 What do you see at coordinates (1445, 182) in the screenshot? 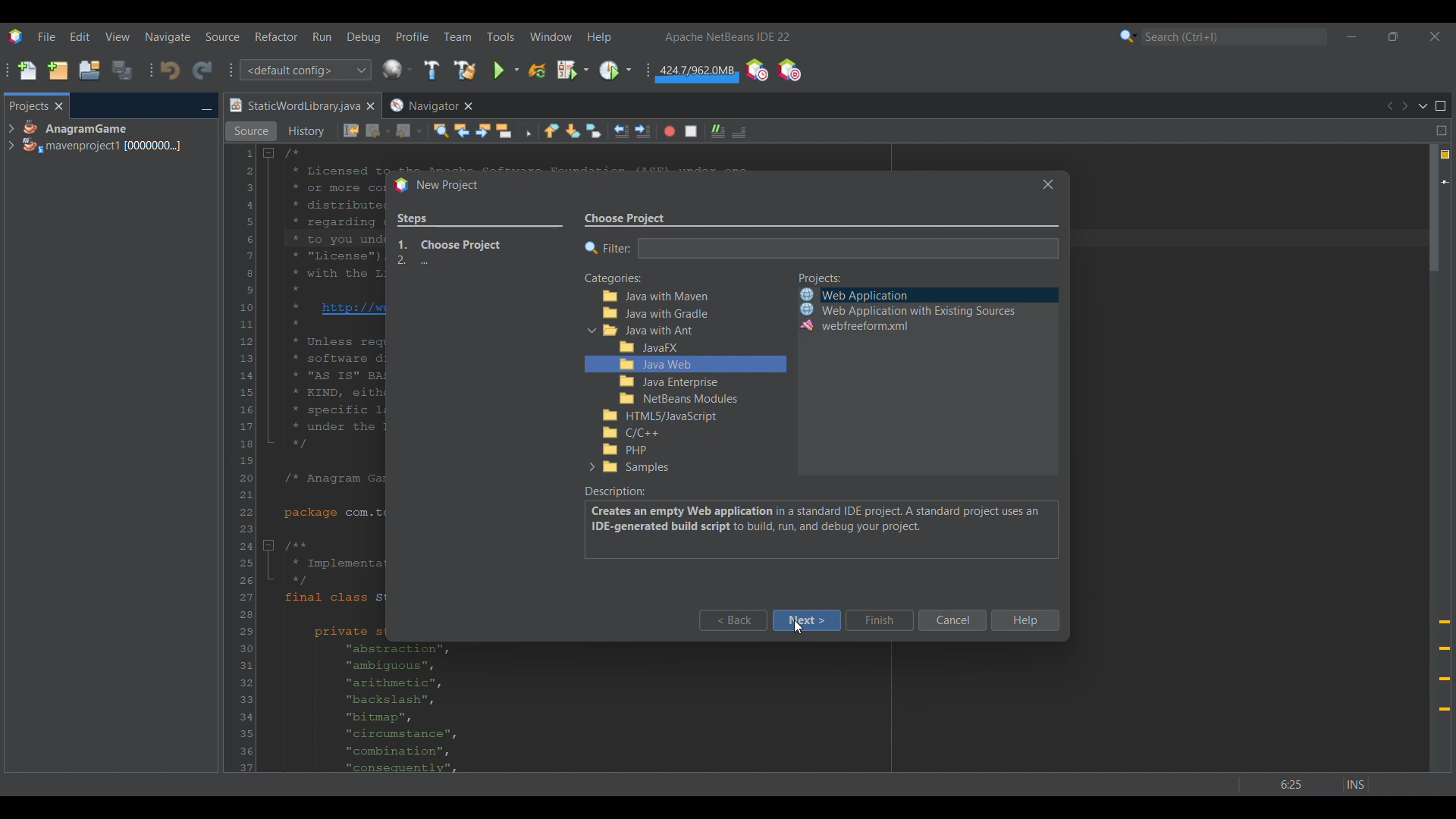
I see `Current line` at bounding box center [1445, 182].